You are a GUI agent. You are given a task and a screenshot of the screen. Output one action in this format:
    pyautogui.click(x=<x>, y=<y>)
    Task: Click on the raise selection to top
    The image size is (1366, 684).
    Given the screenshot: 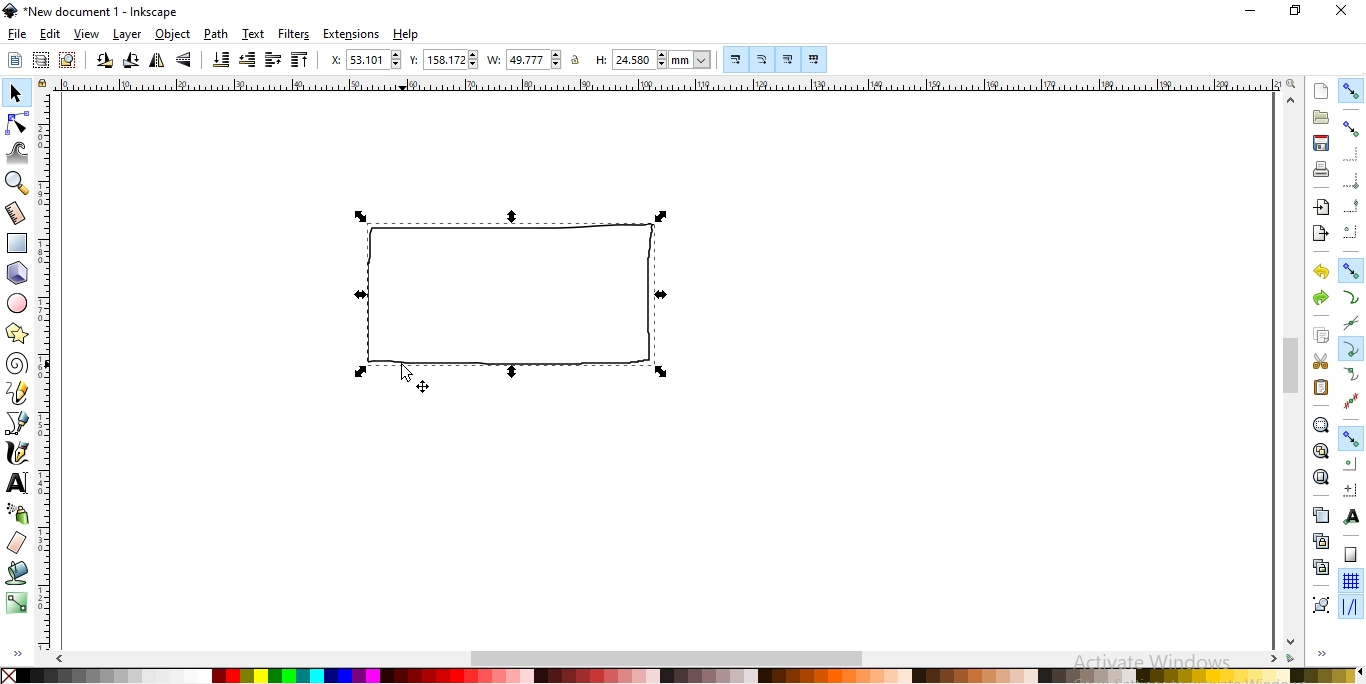 What is the action you would take?
    pyautogui.click(x=301, y=59)
    